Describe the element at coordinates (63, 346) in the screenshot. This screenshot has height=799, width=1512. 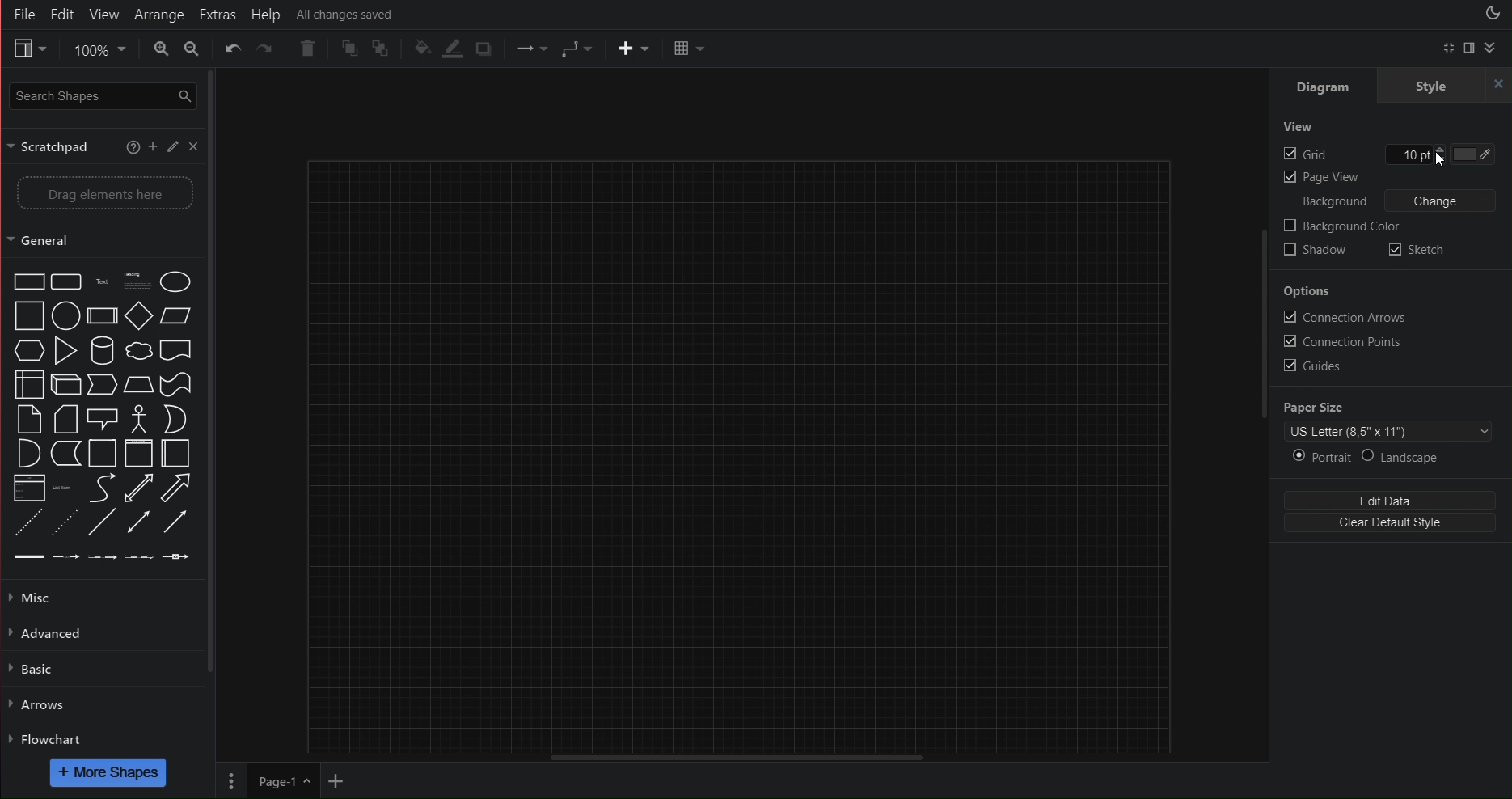
I see `Triangle` at that location.